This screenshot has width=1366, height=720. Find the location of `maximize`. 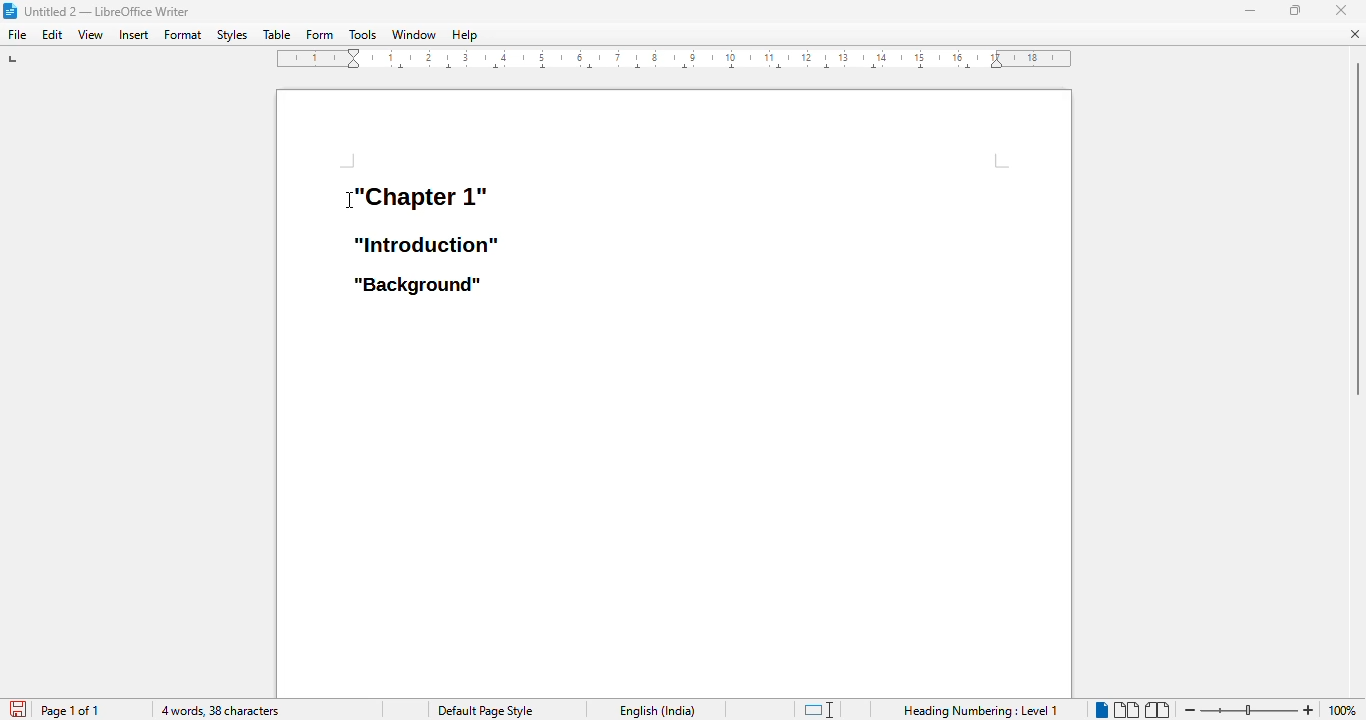

maximize is located at coordinates (1294, 10).